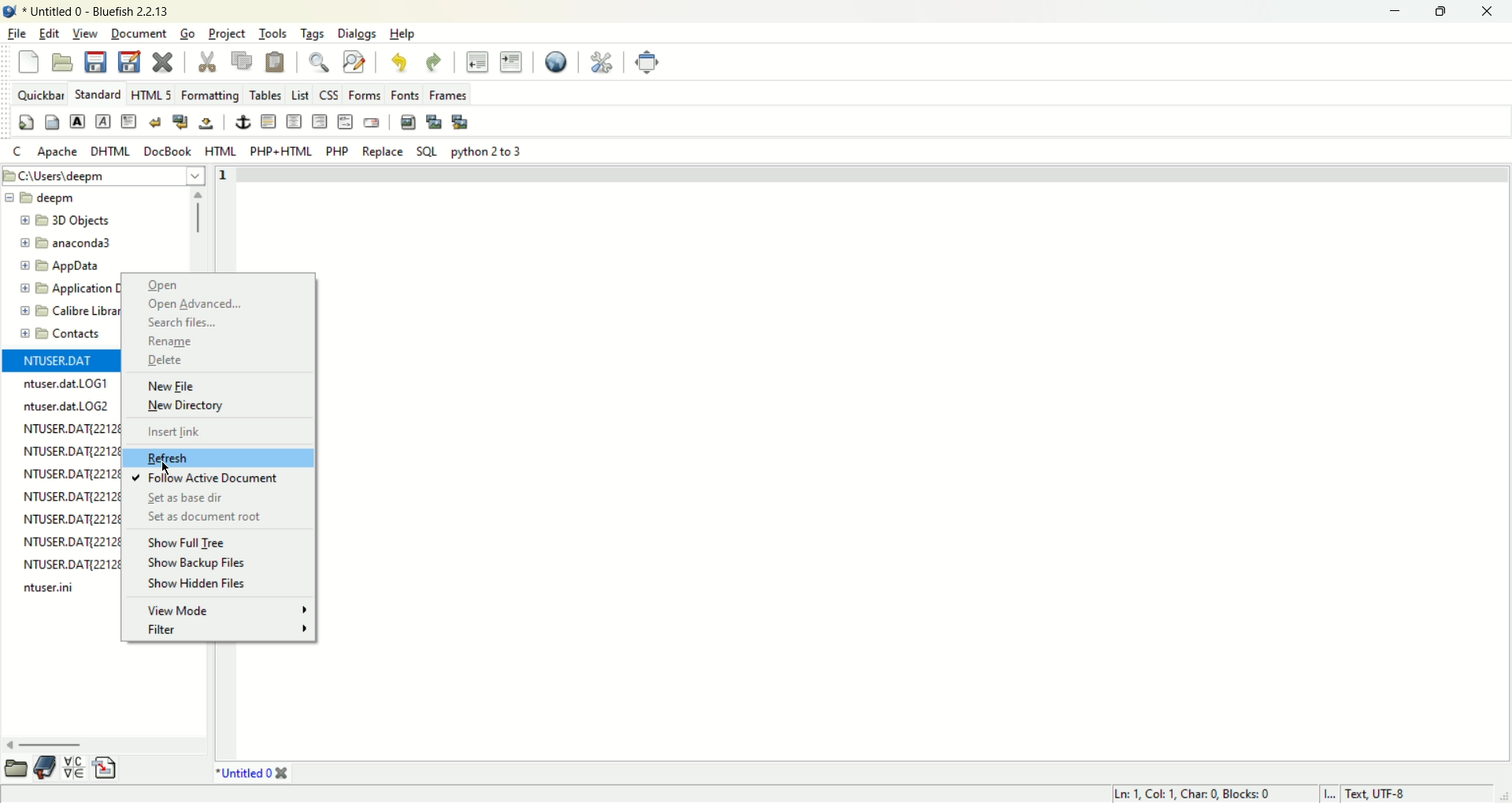 The image size is (1512, 803). I want to click on close, so click(1489, 10).